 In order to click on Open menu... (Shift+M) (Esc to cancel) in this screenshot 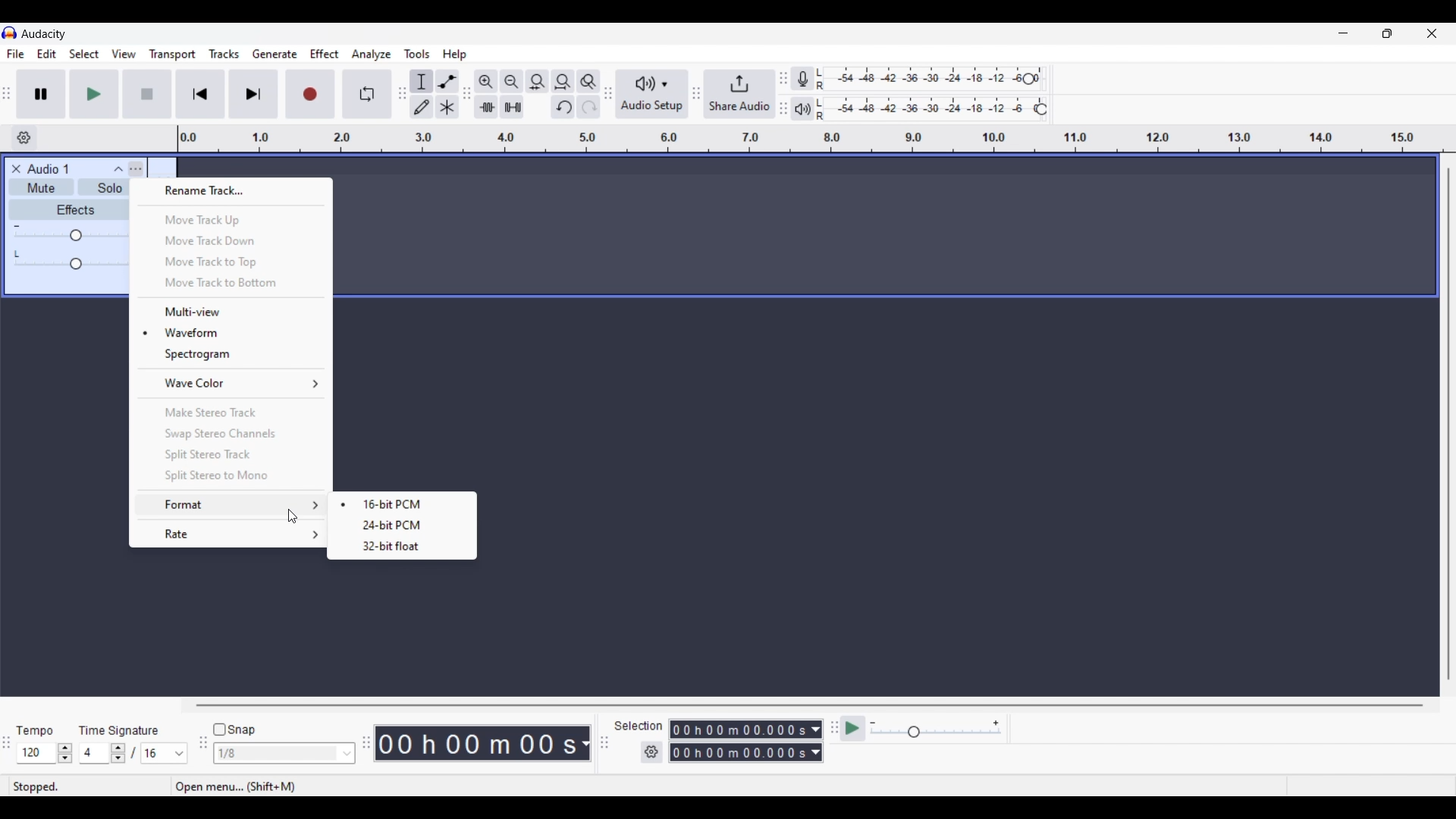, I will do `click(284, 787)`.